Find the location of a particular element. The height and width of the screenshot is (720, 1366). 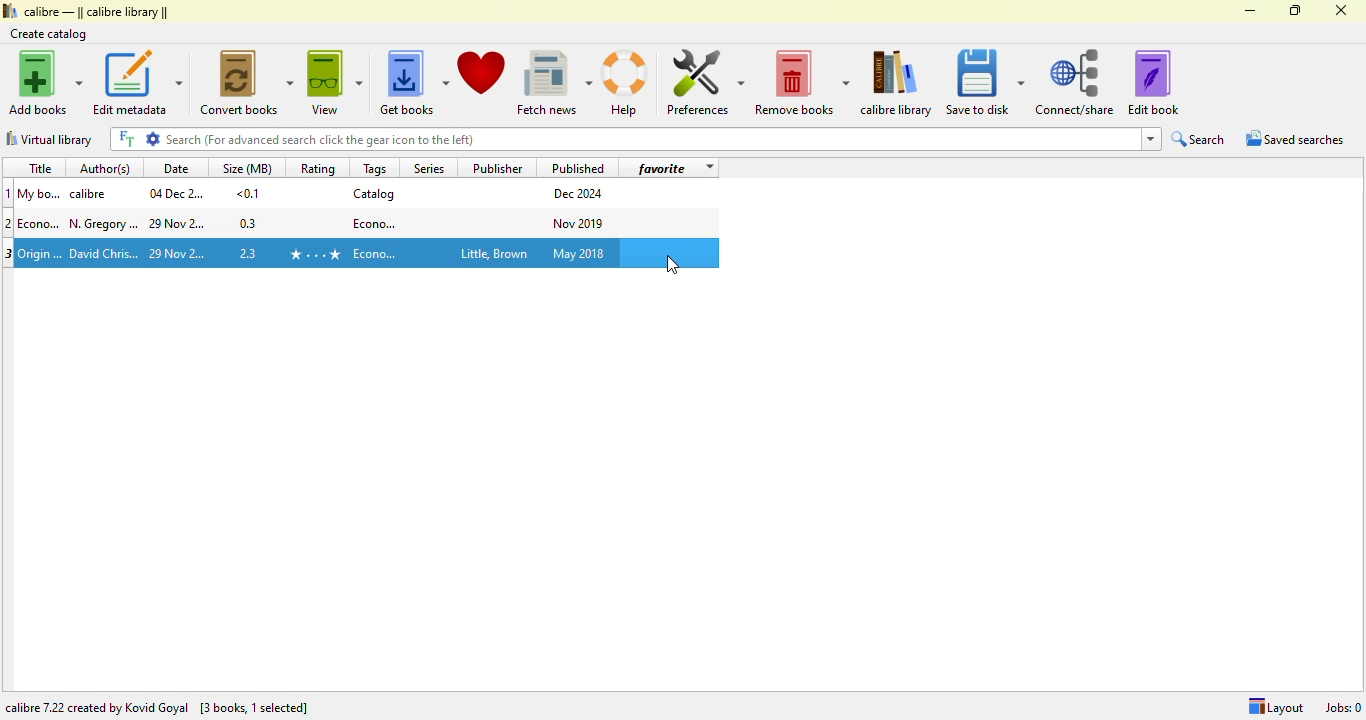

Layout is located at coordinates (1275, 707).